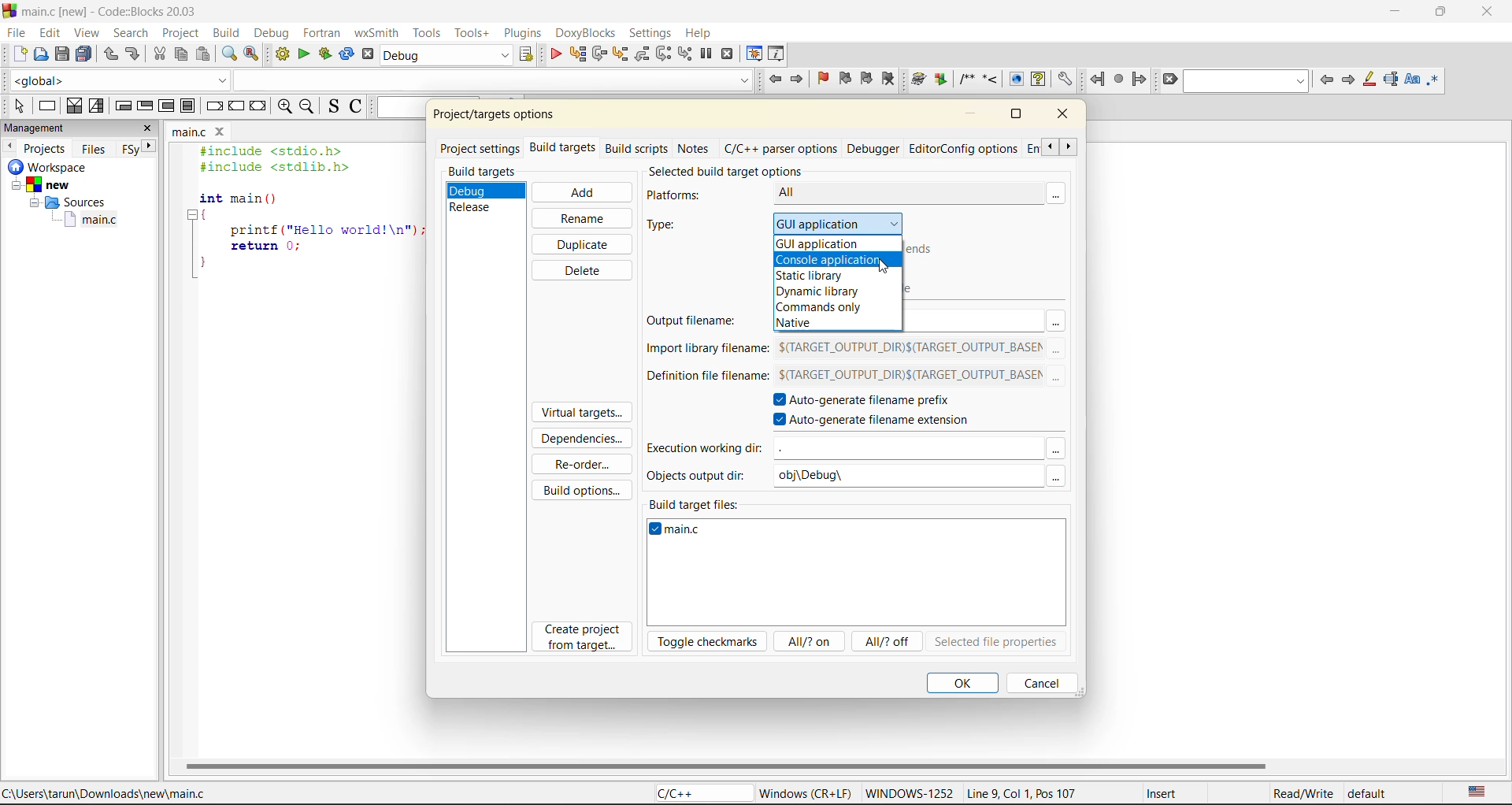 The image size is (1512, 805). I want to click on selected build target options, so click(744, 170).